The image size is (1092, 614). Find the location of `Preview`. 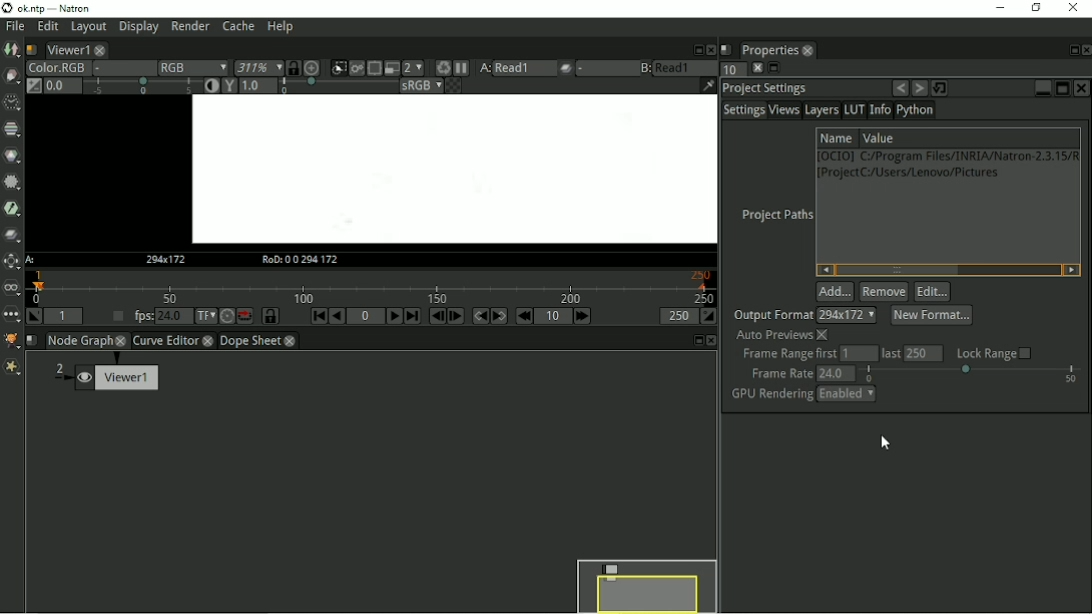

Preview is located at coordinates (646, 582).